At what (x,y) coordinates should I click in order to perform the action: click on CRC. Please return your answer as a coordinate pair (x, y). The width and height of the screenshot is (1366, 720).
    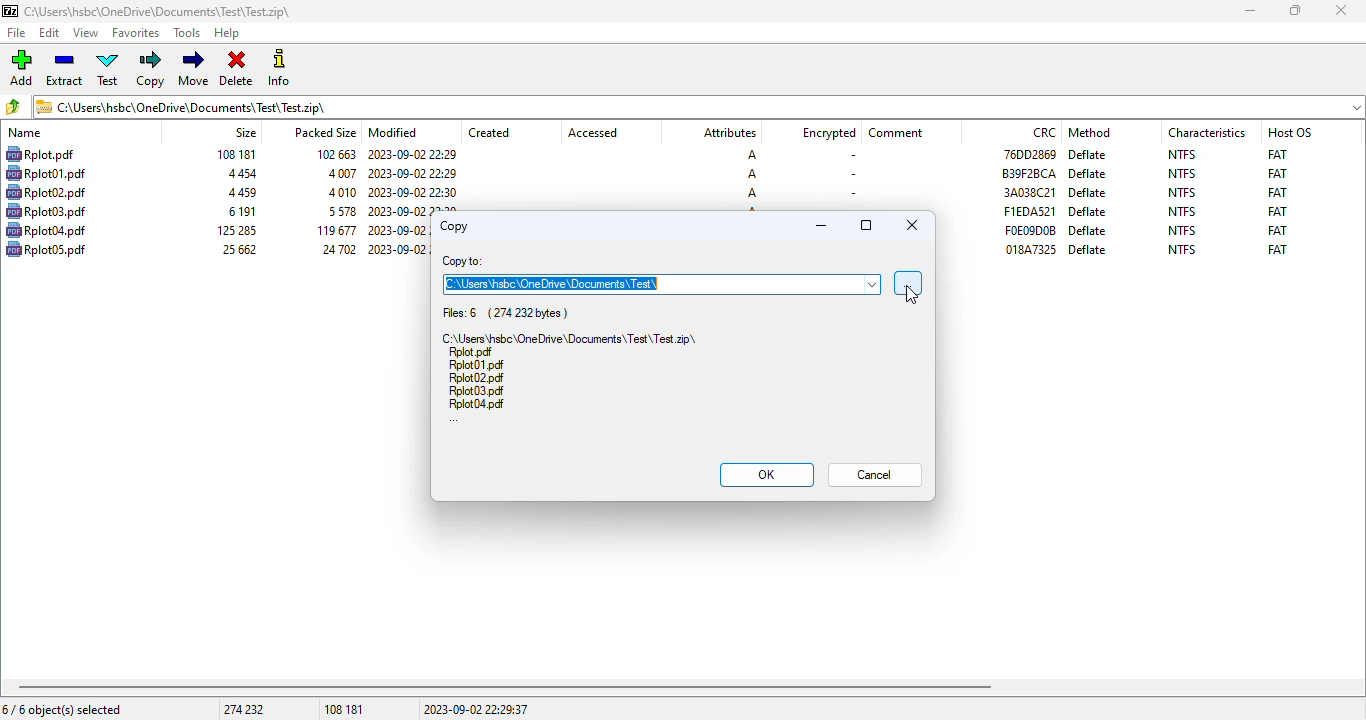
    Looking at the image, I should click on (1029, 192).